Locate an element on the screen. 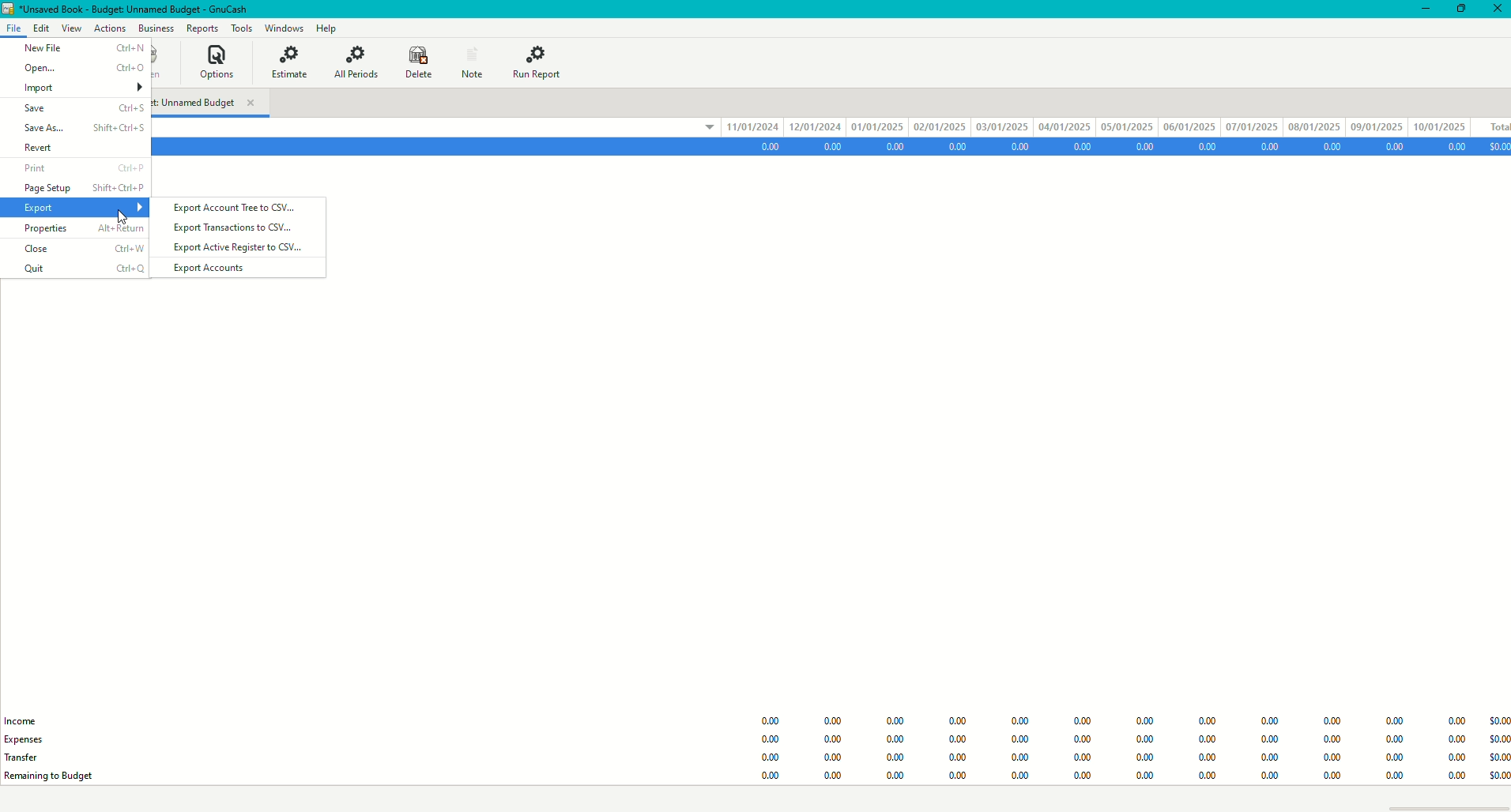 Image resolution: width=1511 pixels, height=812 pixels. Budget Data is located at coordinates (1121, 737).